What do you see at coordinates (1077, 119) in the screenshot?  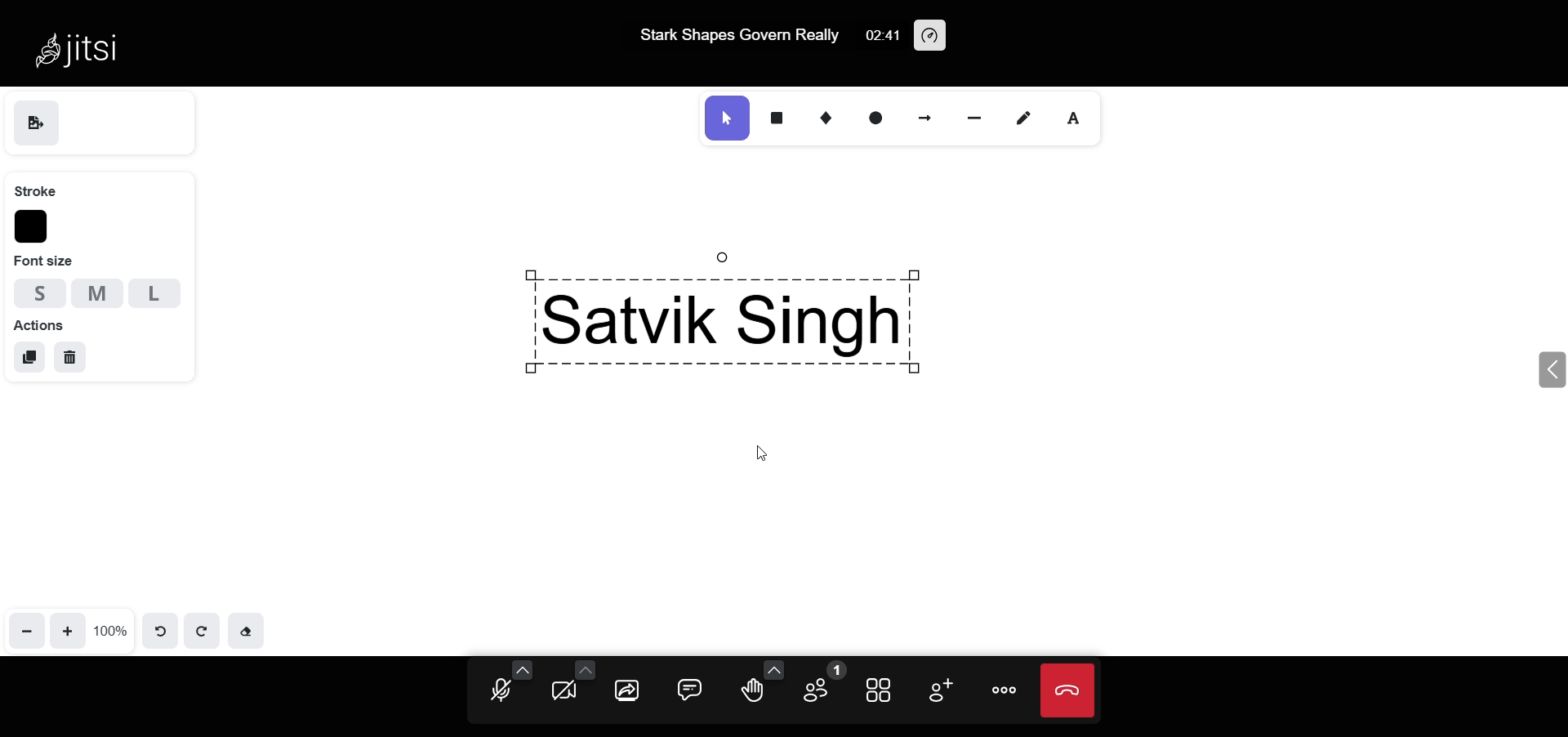 I see `text` at bounding box center [1077, 119].